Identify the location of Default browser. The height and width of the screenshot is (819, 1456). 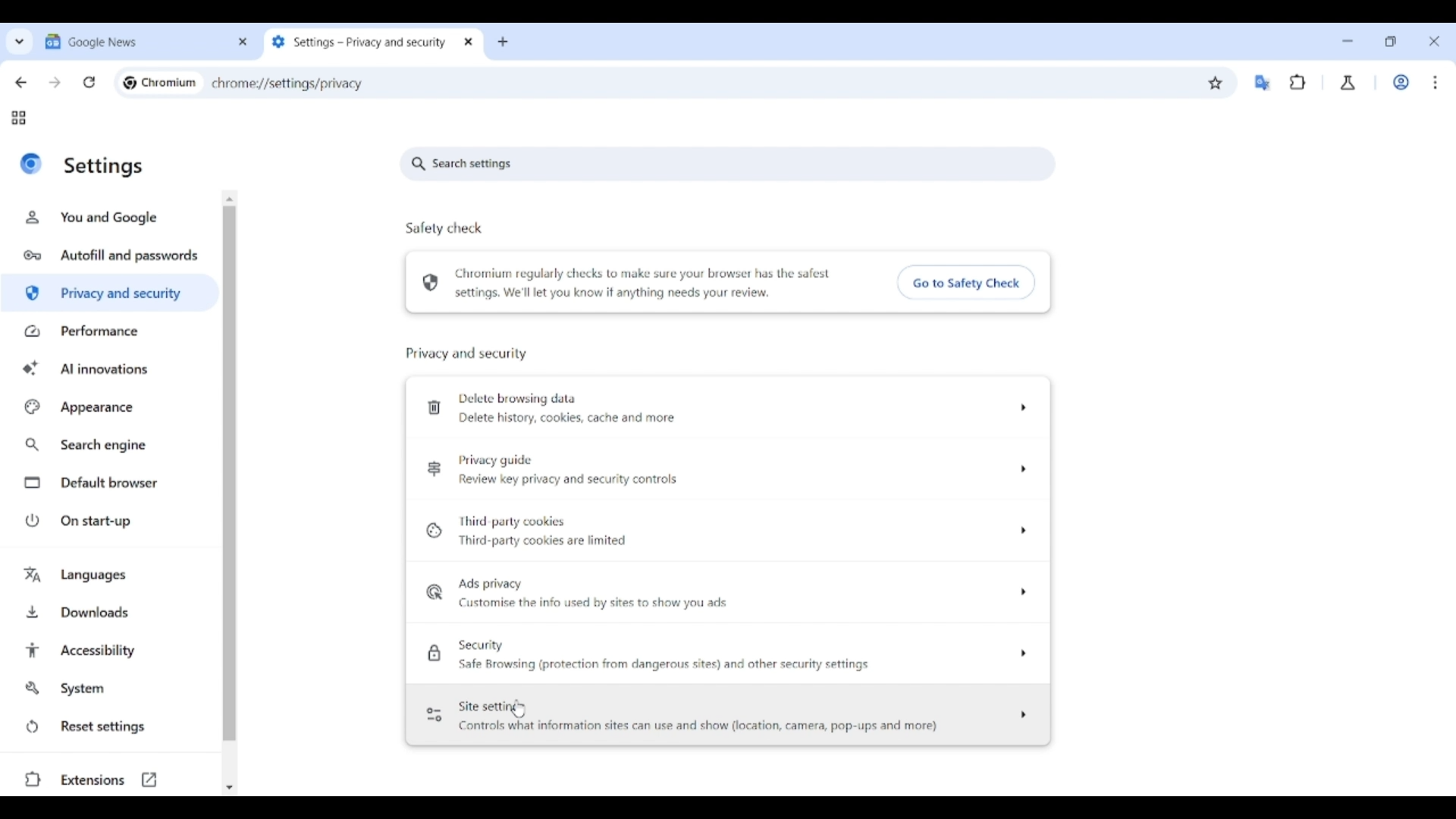
(112, 483).